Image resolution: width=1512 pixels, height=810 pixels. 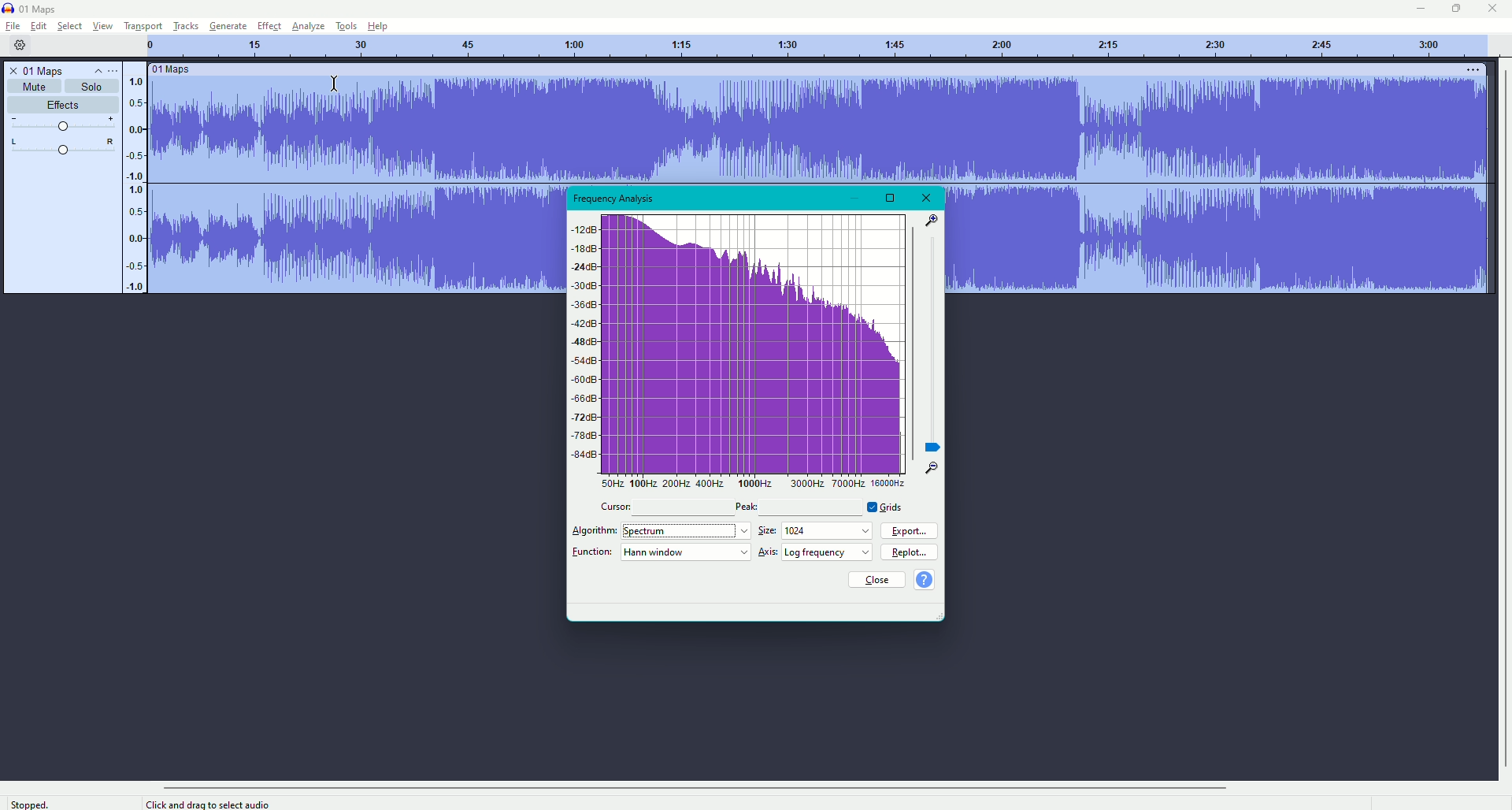 What do you see at coordinates (910, 531) in the screenshot?
I see `Export` at bounding box center [910, 531].